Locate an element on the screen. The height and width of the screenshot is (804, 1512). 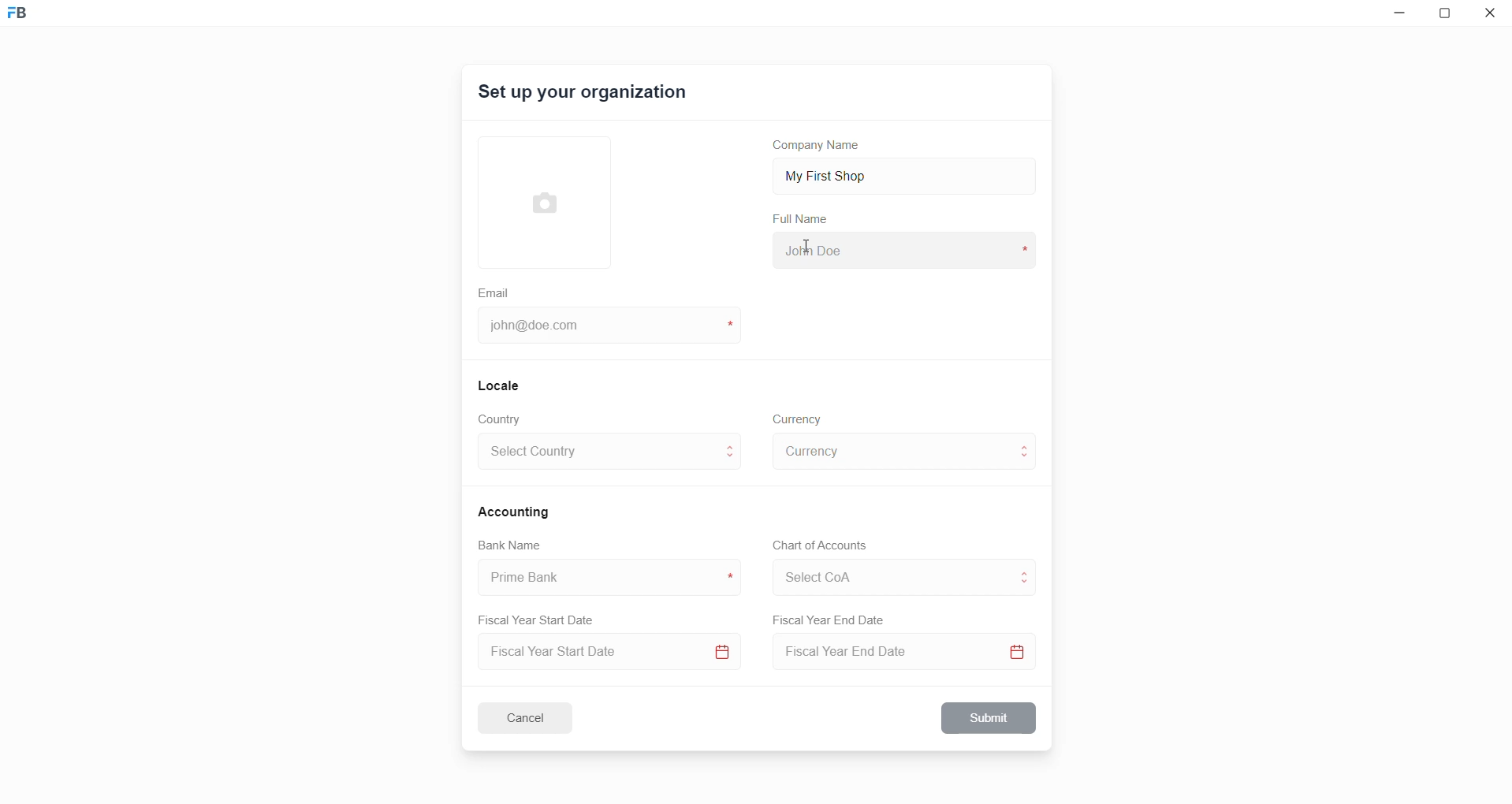
Set up your organization is located at coordinates (584, 95).